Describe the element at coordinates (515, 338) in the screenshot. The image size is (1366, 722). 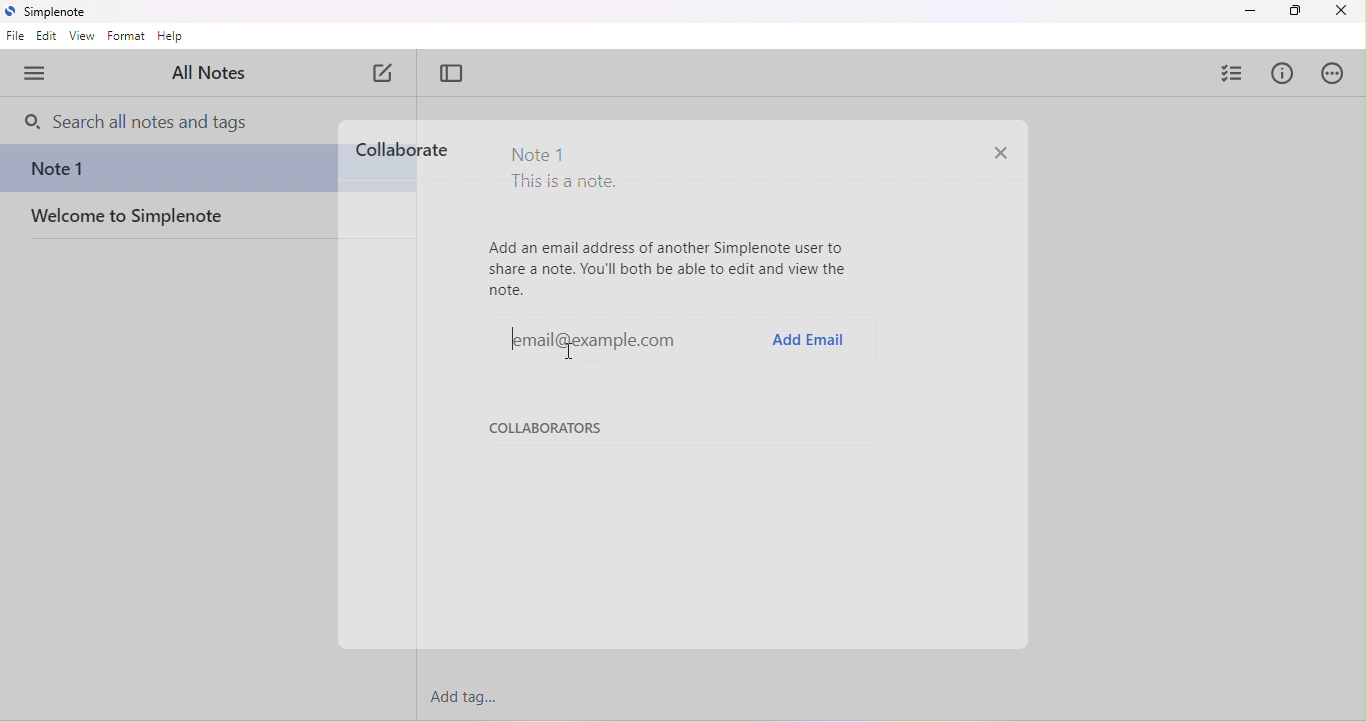
I see `typing cursor on email @example.com` at that location.